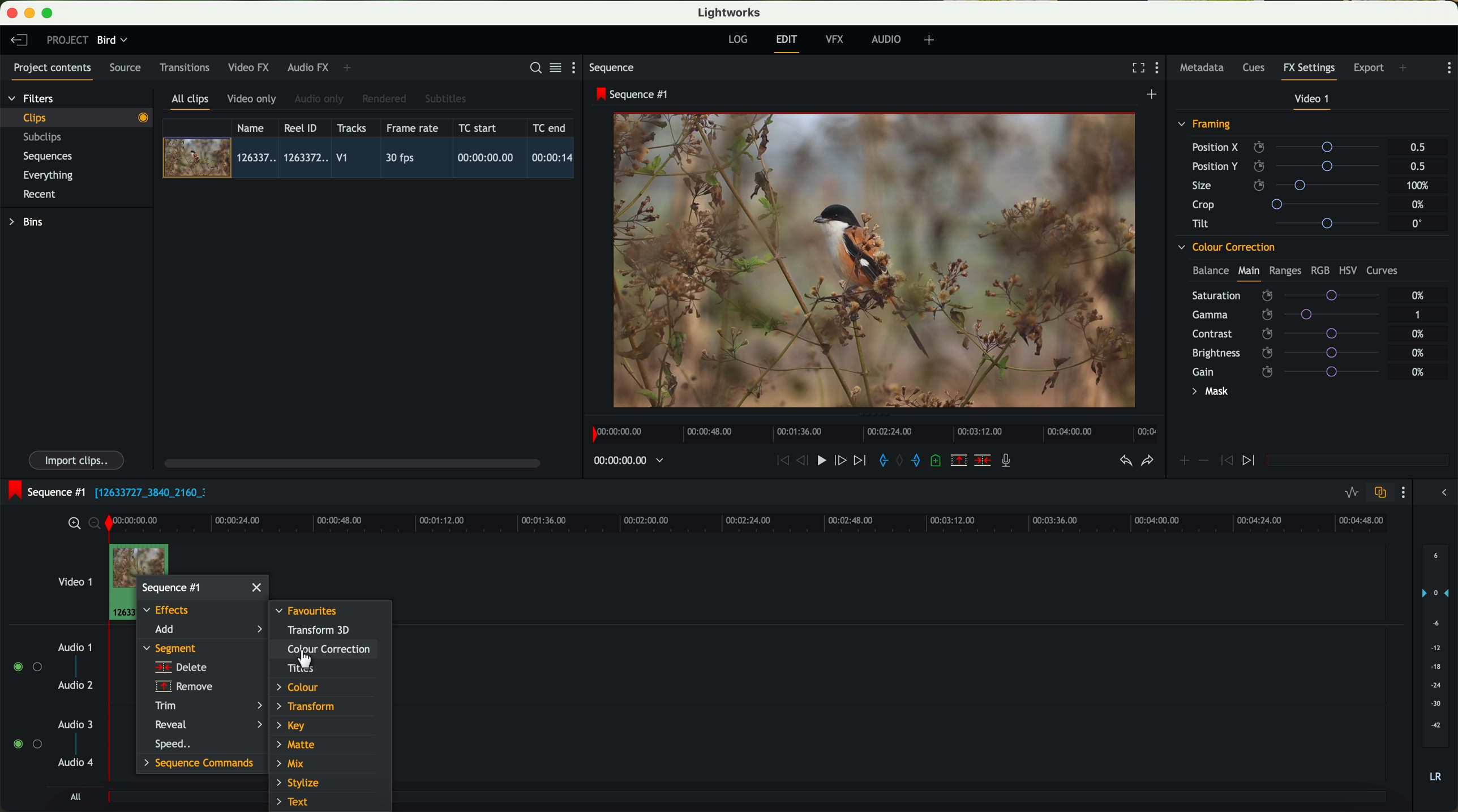 This screenshot has width=1458, height=812. I want to click on audio 2, so click(76, 686).